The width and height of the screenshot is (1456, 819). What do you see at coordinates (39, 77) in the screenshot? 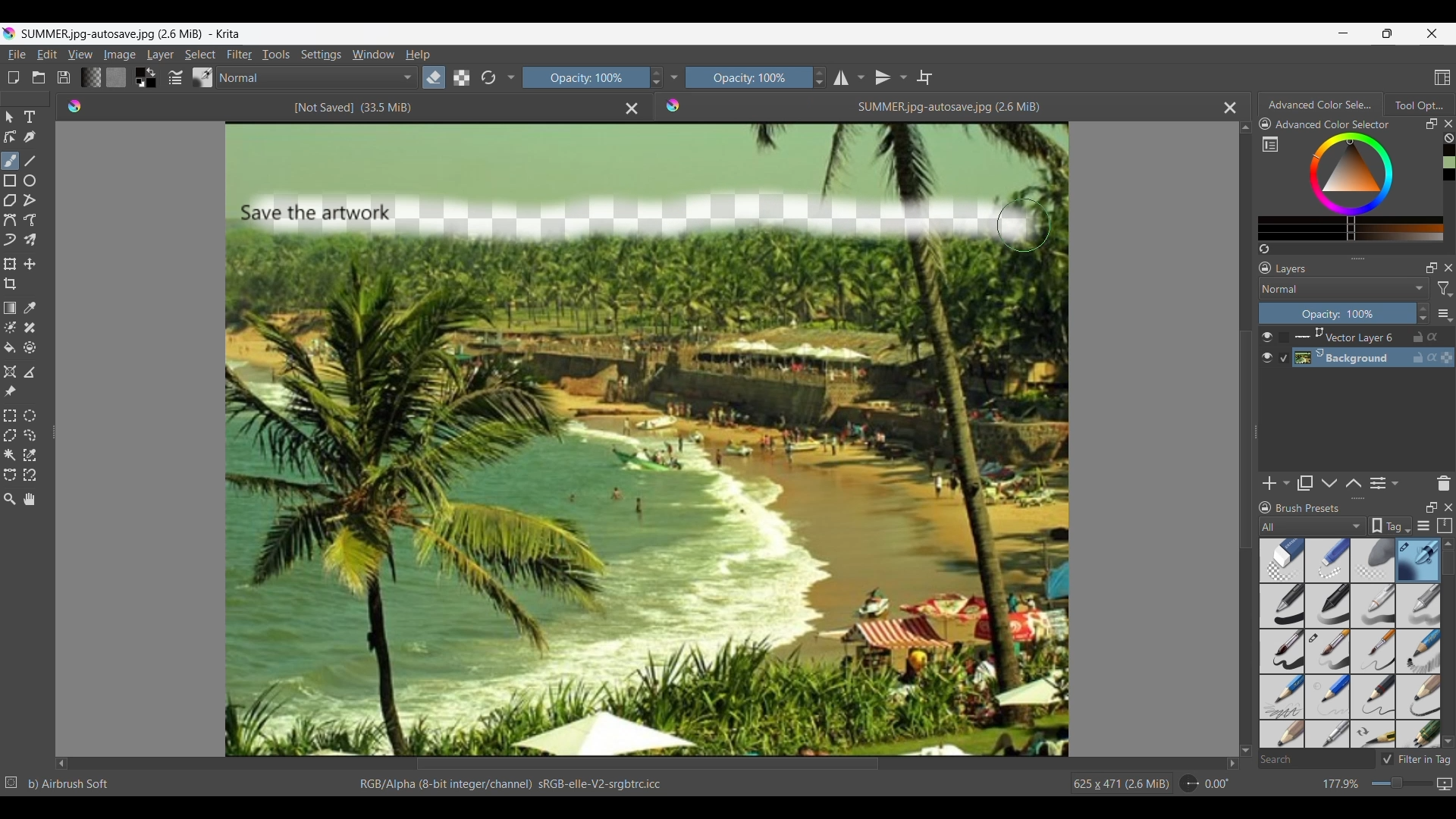
I see `Open an existing document` at bounding box center [39, 77].